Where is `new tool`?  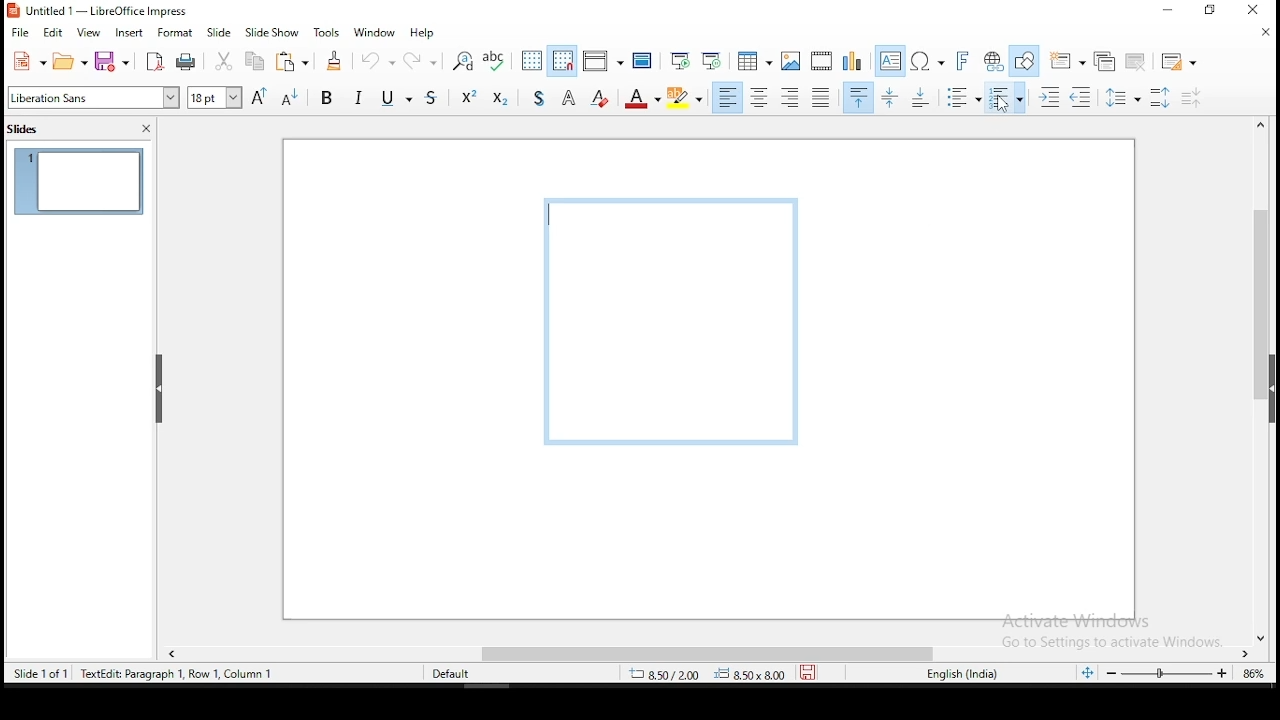 new tool is located at coordinates (26, 62).